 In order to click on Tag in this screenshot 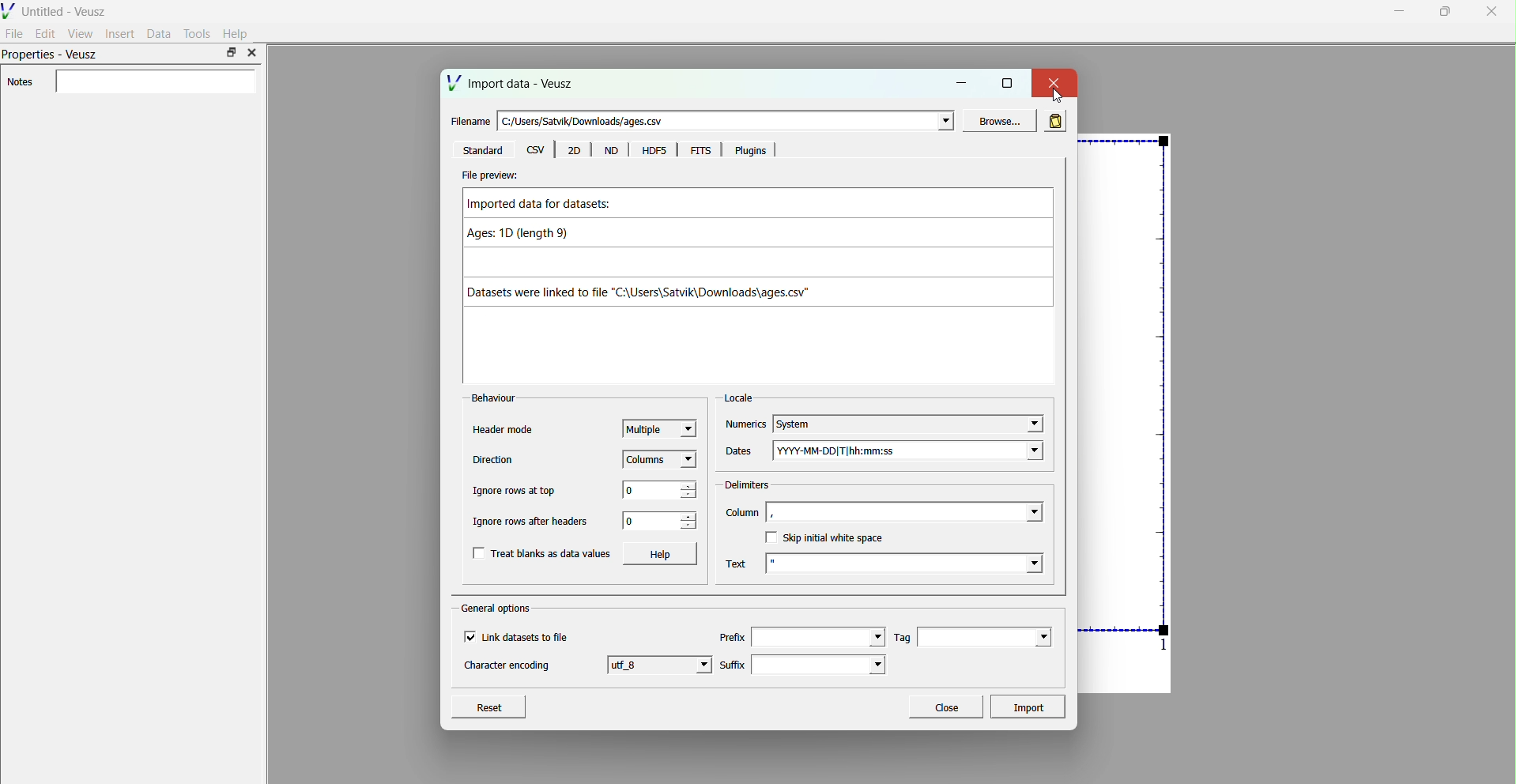, I will do `click(903, 637)`.